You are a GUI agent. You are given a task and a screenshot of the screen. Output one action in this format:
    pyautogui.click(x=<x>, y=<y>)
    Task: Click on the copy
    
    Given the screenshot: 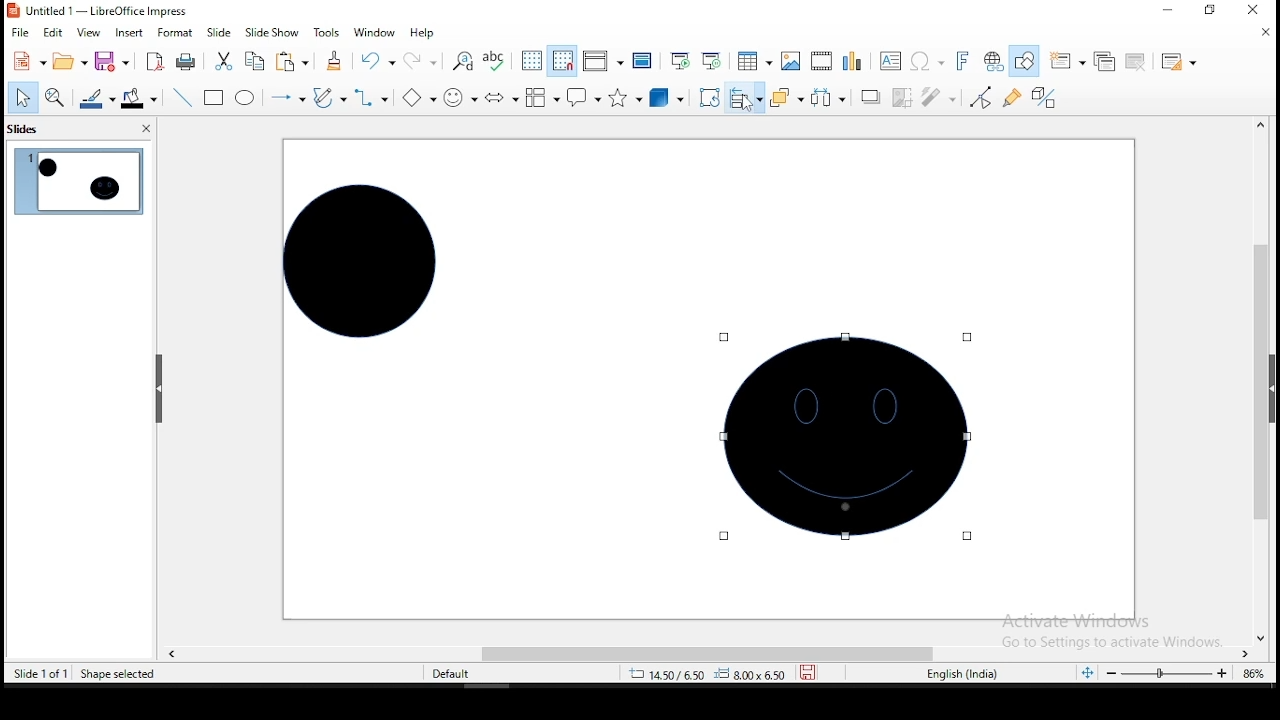 What is the action you would take?
    pyautogui.click(x=253, y=62)
    